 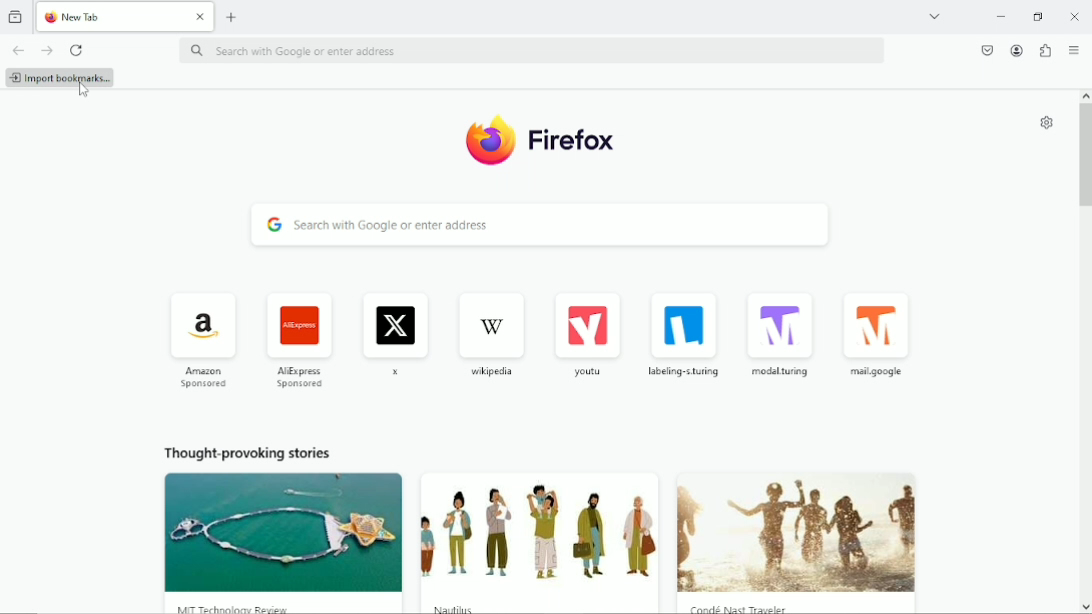 What do you see at coordinates (1016, 50) in the screenshot?
I see `Account` at bounding box center [1016, 50].